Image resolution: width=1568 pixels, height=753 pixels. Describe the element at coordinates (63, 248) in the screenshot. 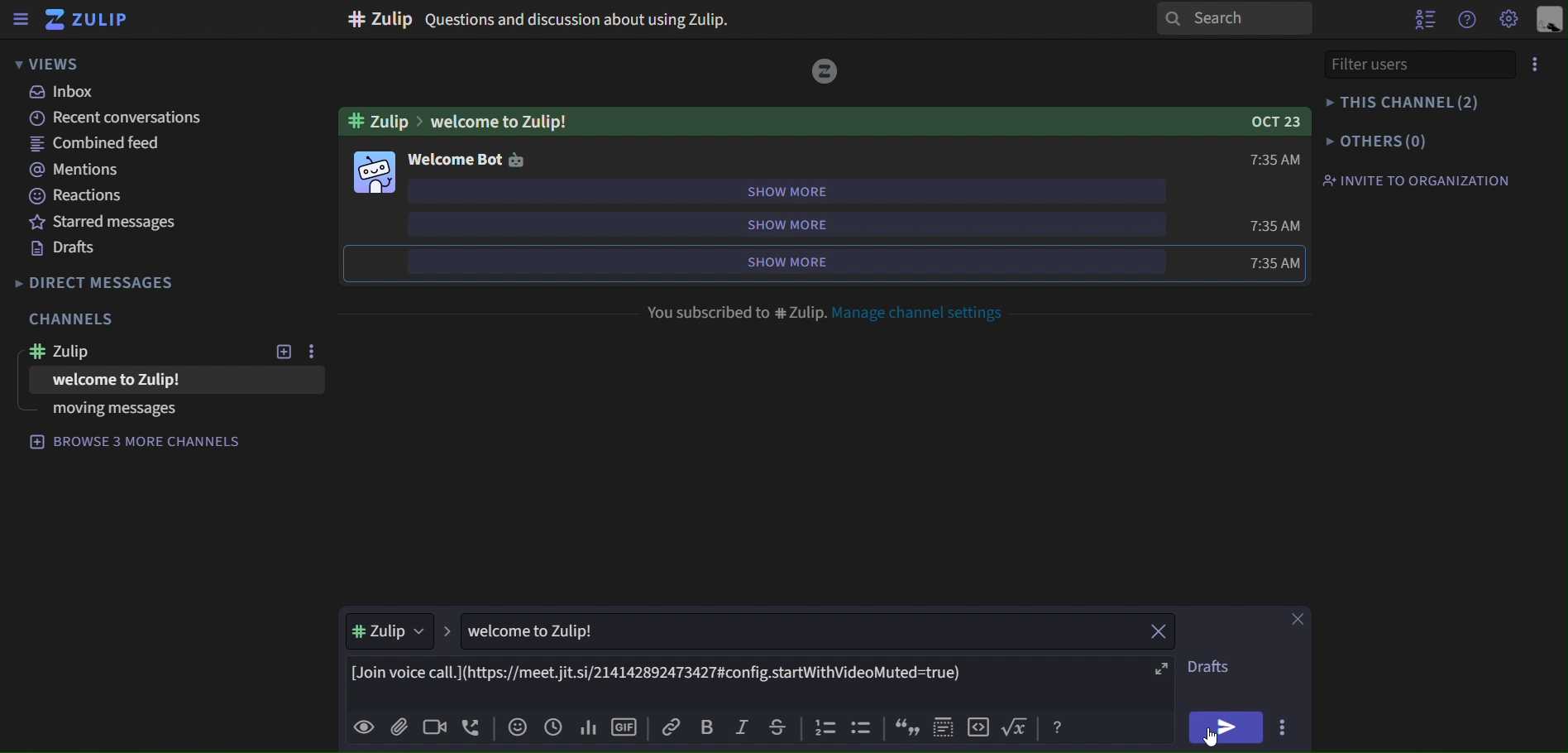

I see `drafts` at that location.